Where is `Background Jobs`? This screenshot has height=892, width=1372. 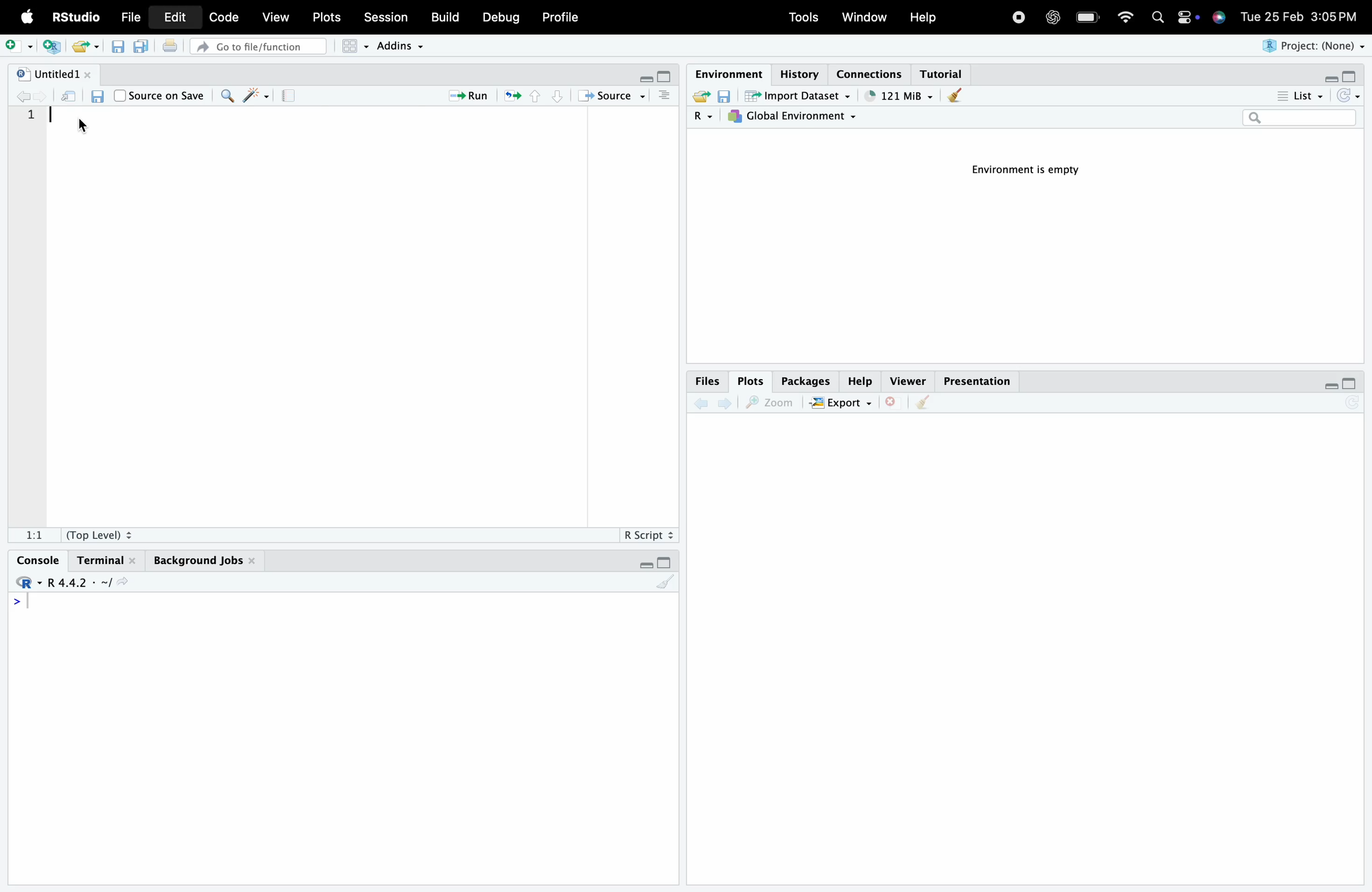
Background Jobs is located at coordinates (203, 558).